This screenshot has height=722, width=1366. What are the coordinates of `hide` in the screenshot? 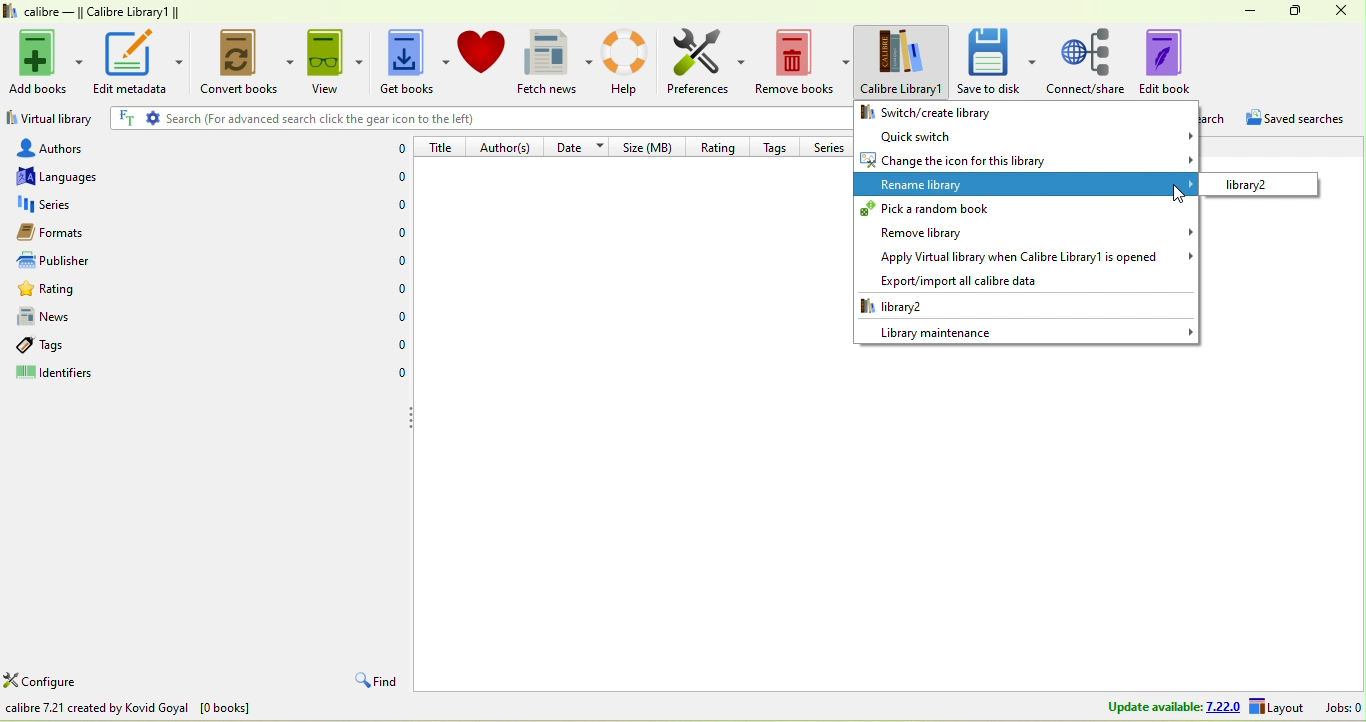 It's located at (410, 417).